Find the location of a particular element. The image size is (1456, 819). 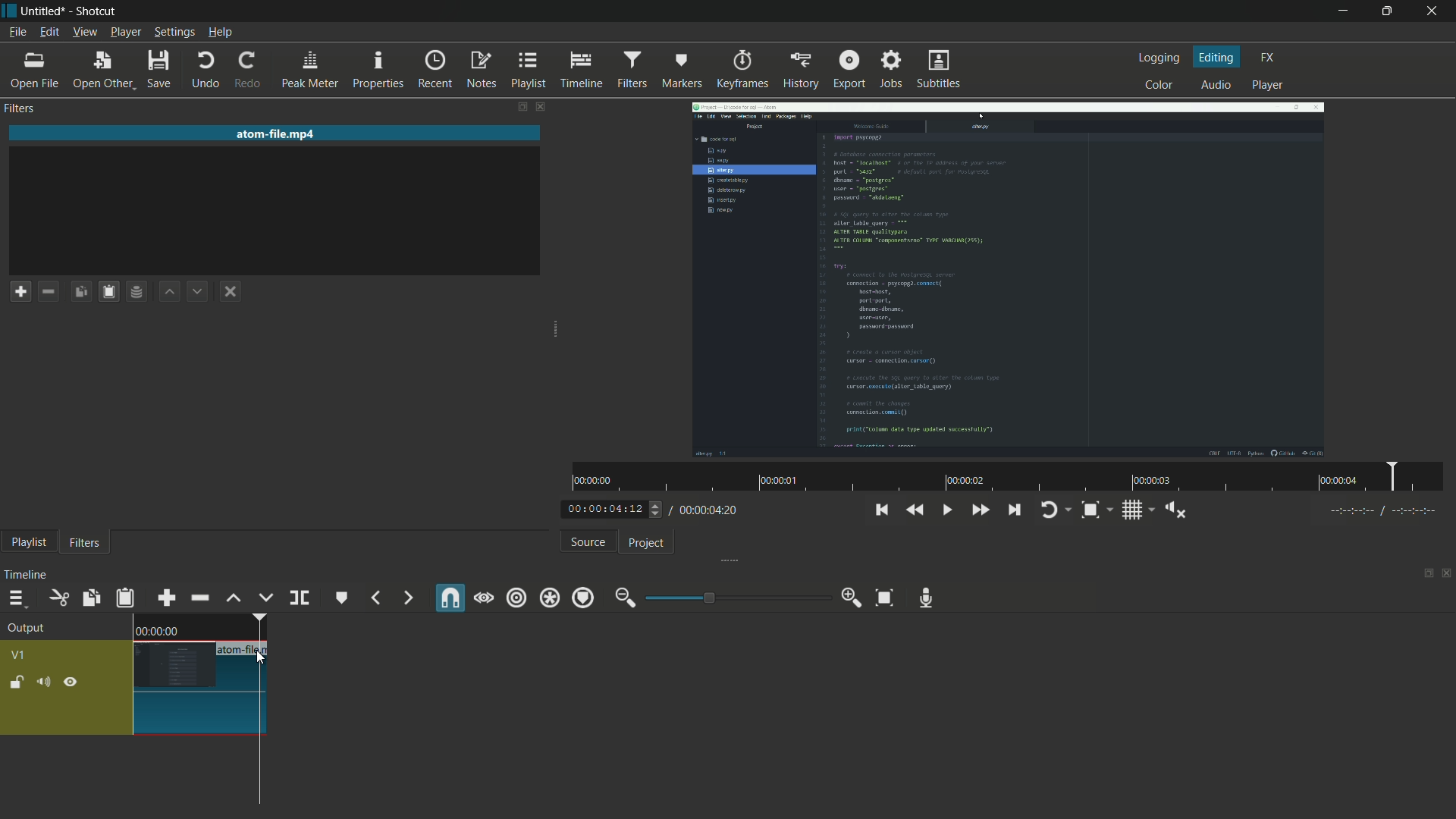

settings menu is located at coordinates (177, 32).